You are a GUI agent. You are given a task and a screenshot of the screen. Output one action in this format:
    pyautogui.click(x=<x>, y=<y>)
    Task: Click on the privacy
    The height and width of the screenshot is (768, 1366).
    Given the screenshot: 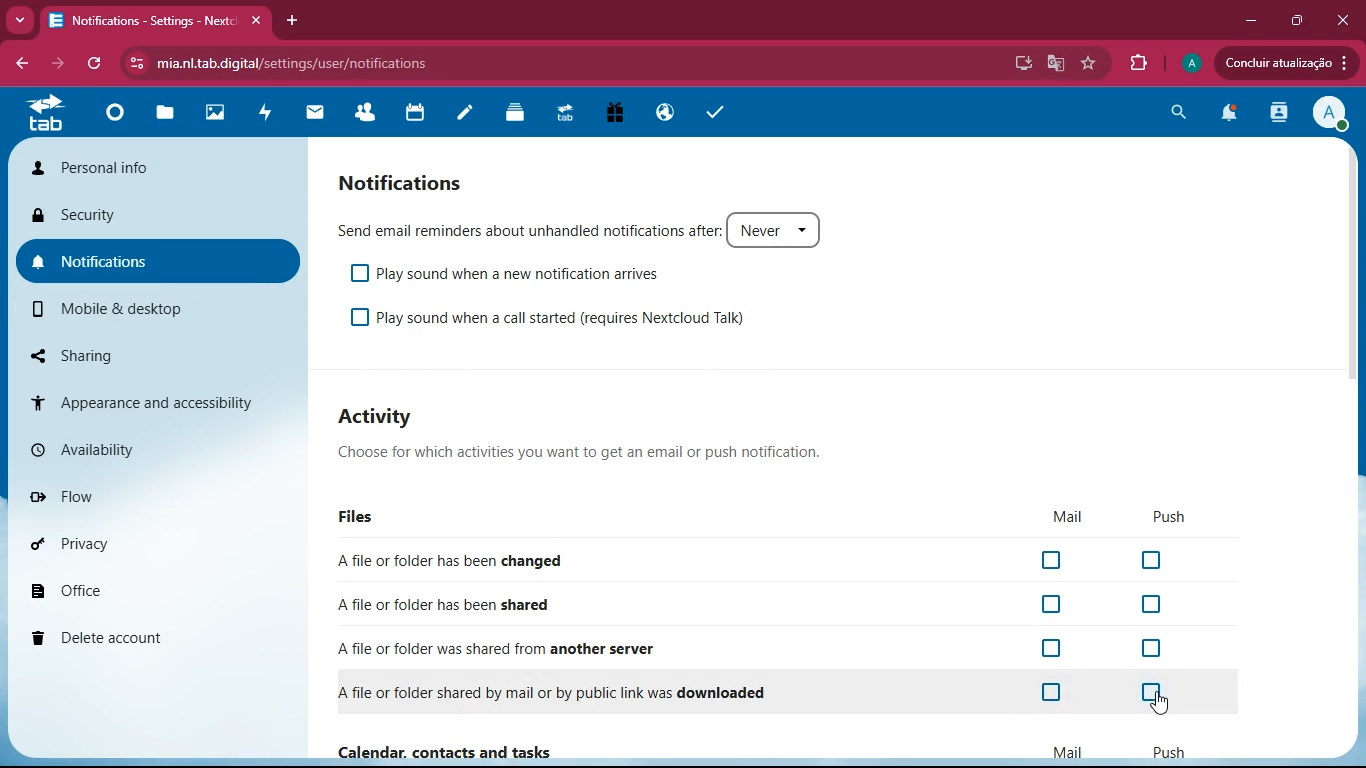 What is the action you would take?
    pyautogui.click(x=131, y=539)
    